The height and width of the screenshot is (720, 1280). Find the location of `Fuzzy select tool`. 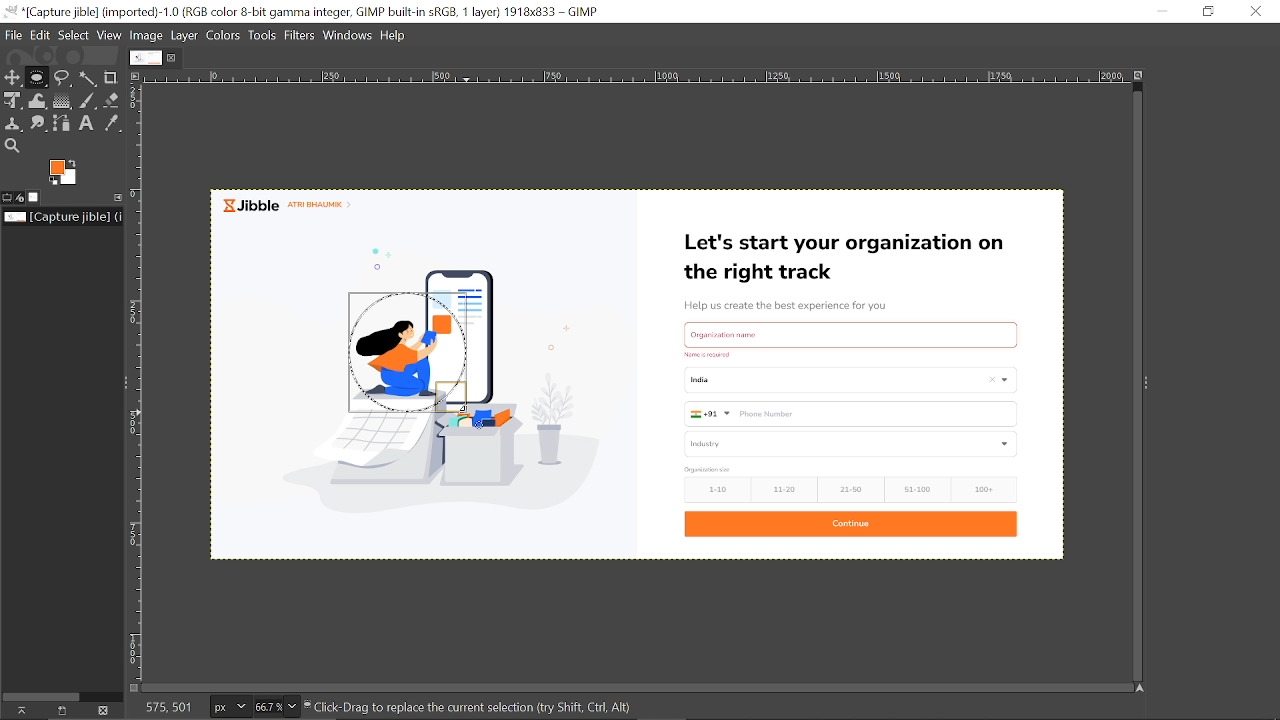

Fuzzy select tool is located at coordinates (91, 78).